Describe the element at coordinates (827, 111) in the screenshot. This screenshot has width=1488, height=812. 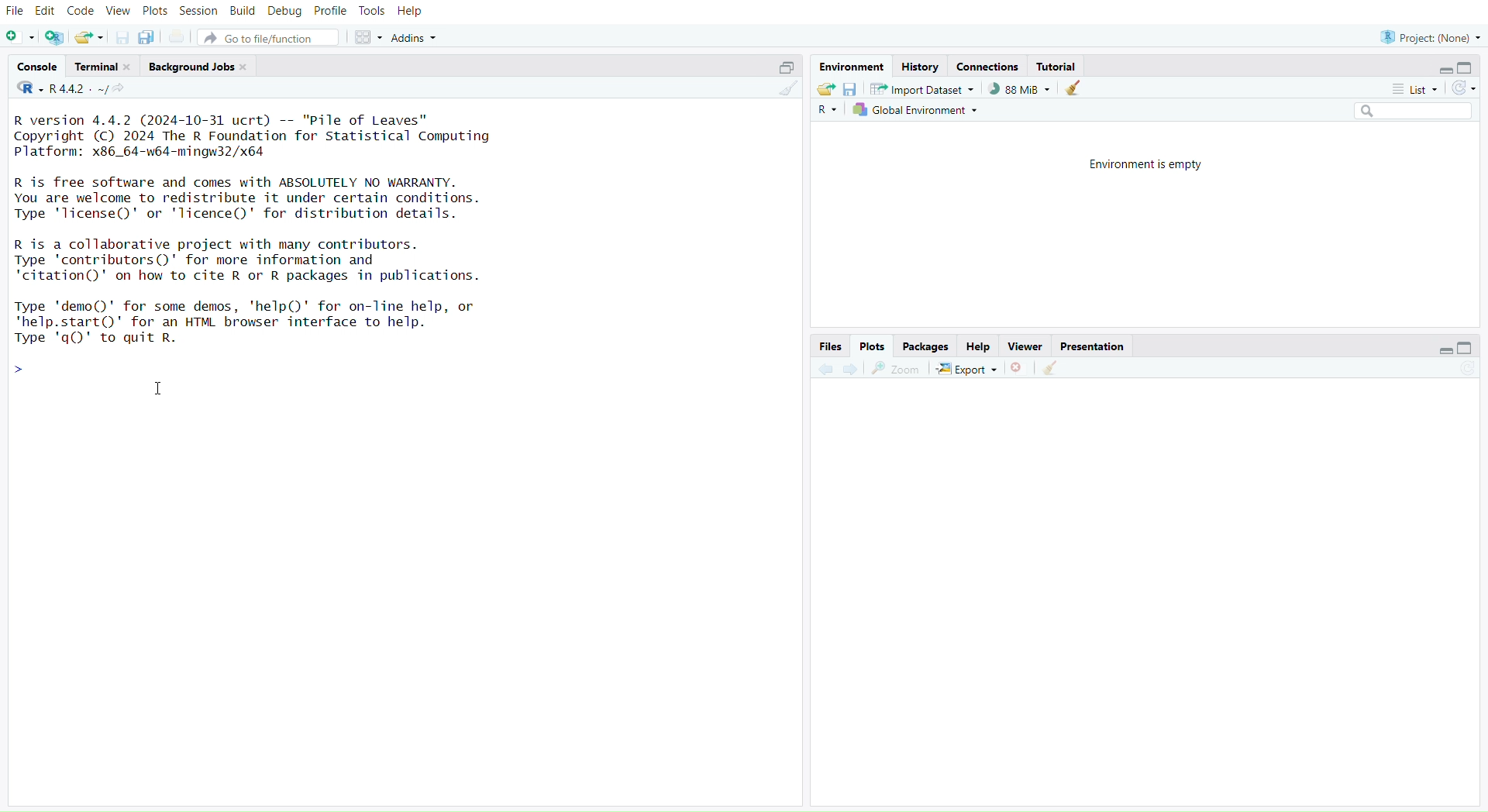
I see `R` at that location.